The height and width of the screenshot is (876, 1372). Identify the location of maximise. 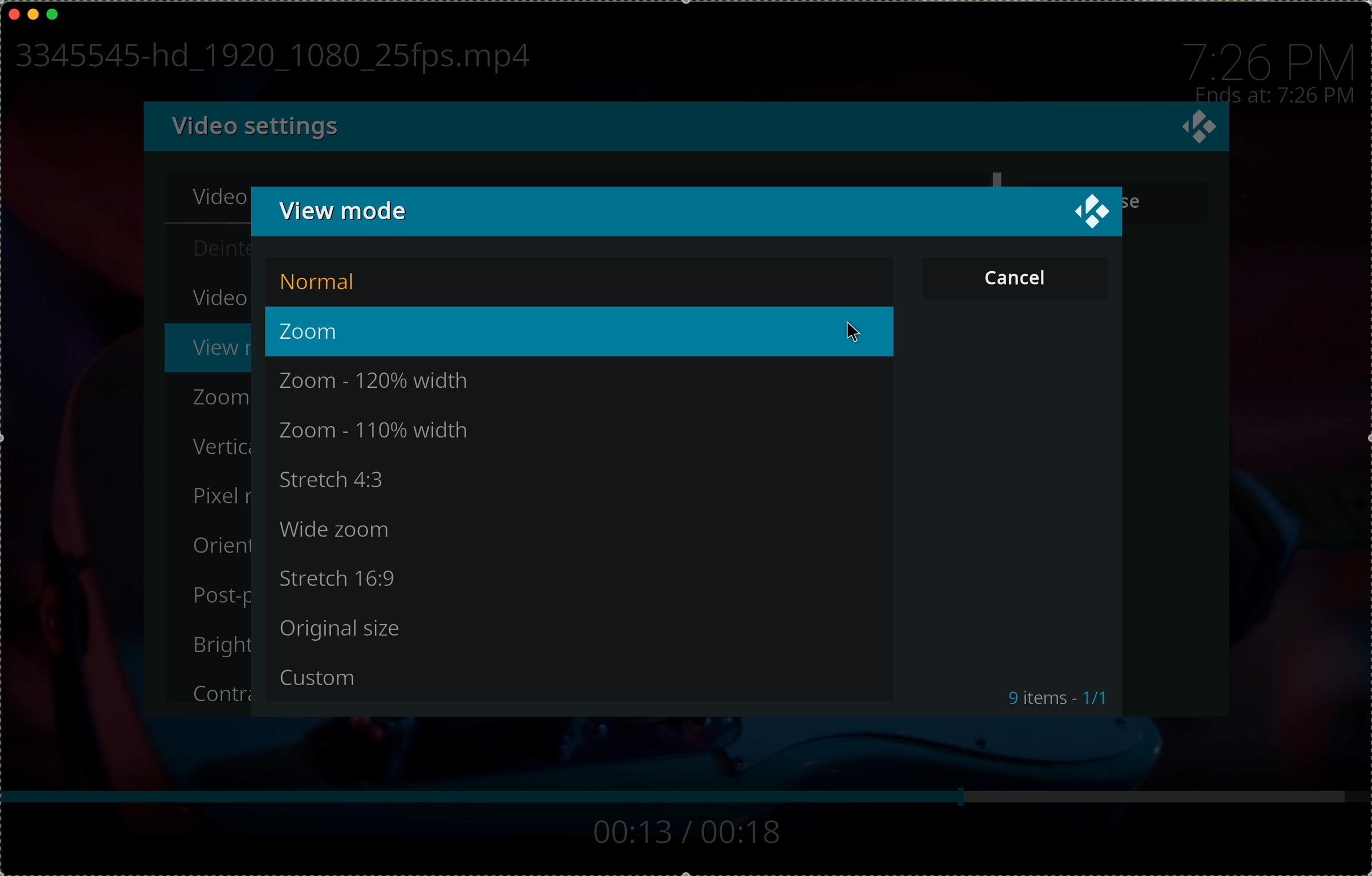
(54, 14).